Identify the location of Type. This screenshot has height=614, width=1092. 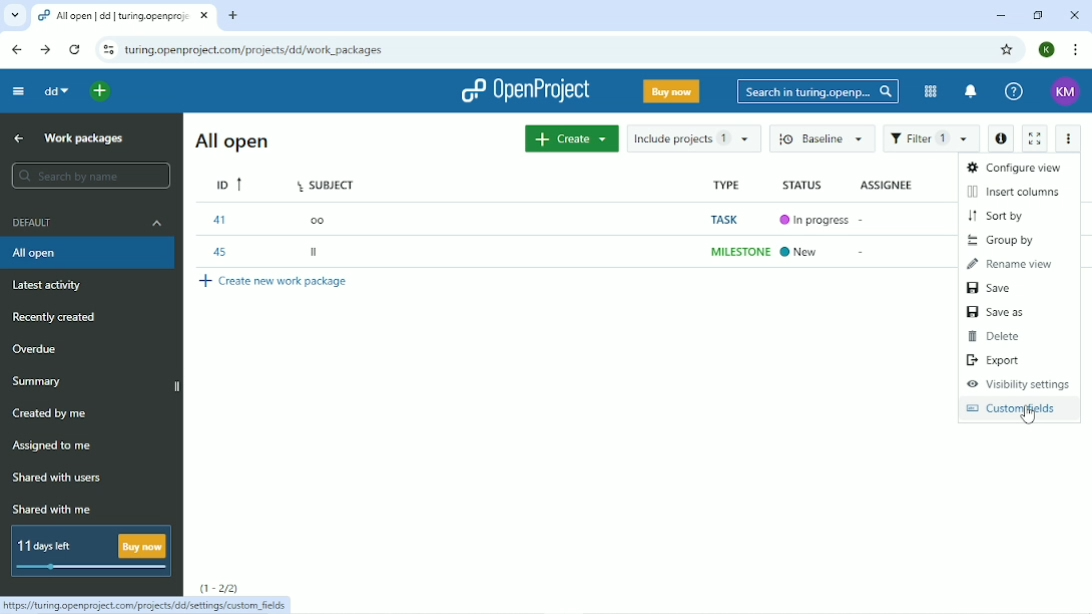
(725, 183).